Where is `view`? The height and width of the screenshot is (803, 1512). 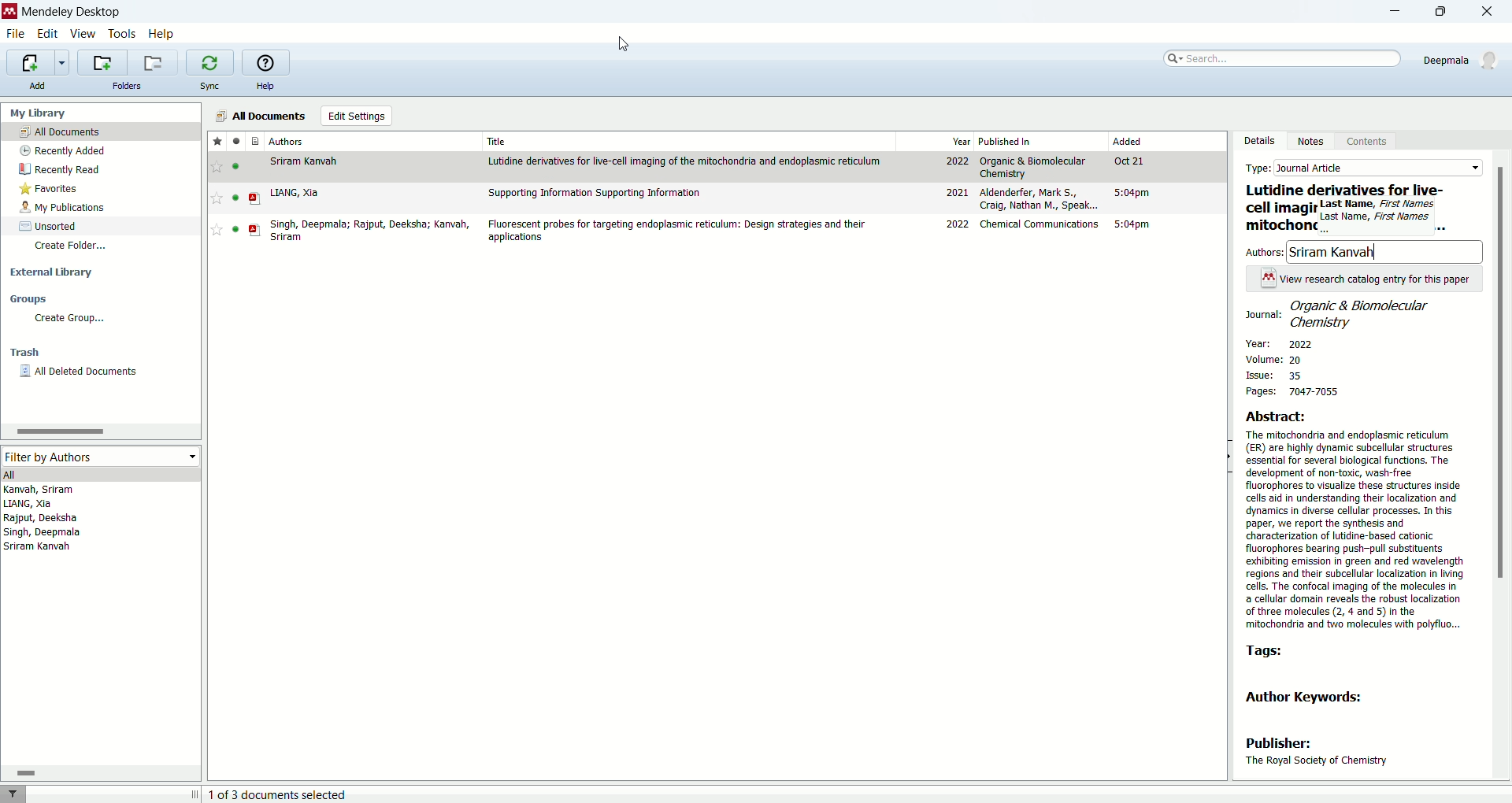 view is located at coordinates (84, 35).